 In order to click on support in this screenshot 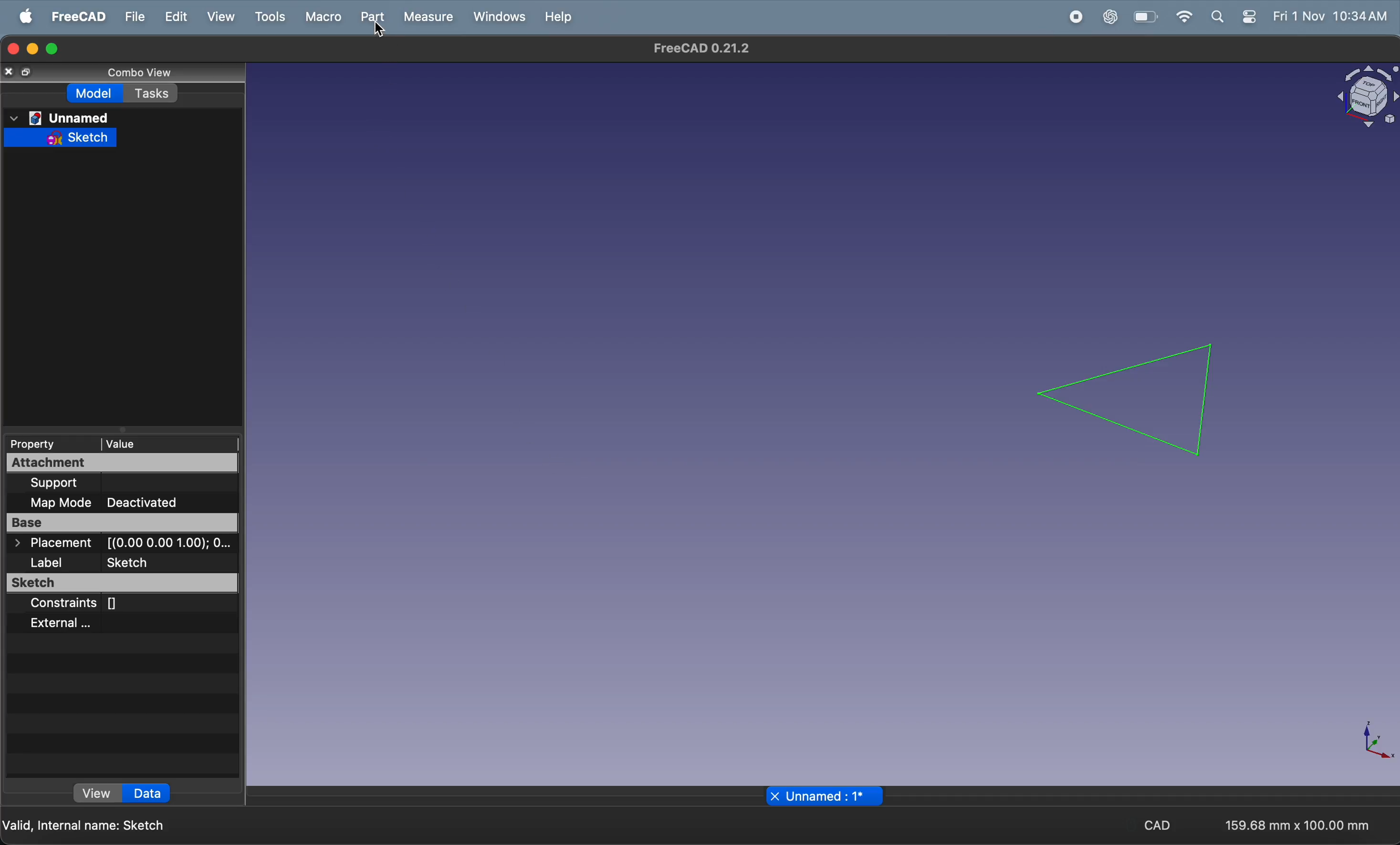, I will do `click(98, 483)`.